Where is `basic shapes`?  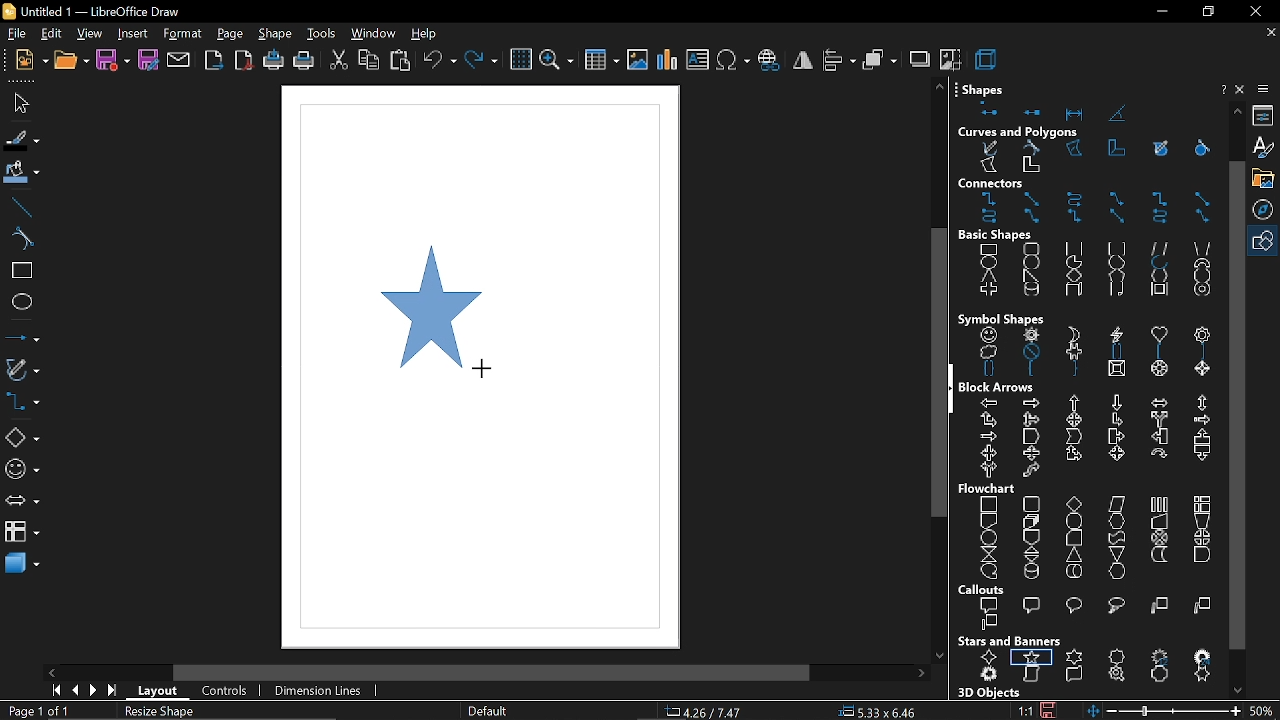 basic shapes is located at coordinates (22, 438).